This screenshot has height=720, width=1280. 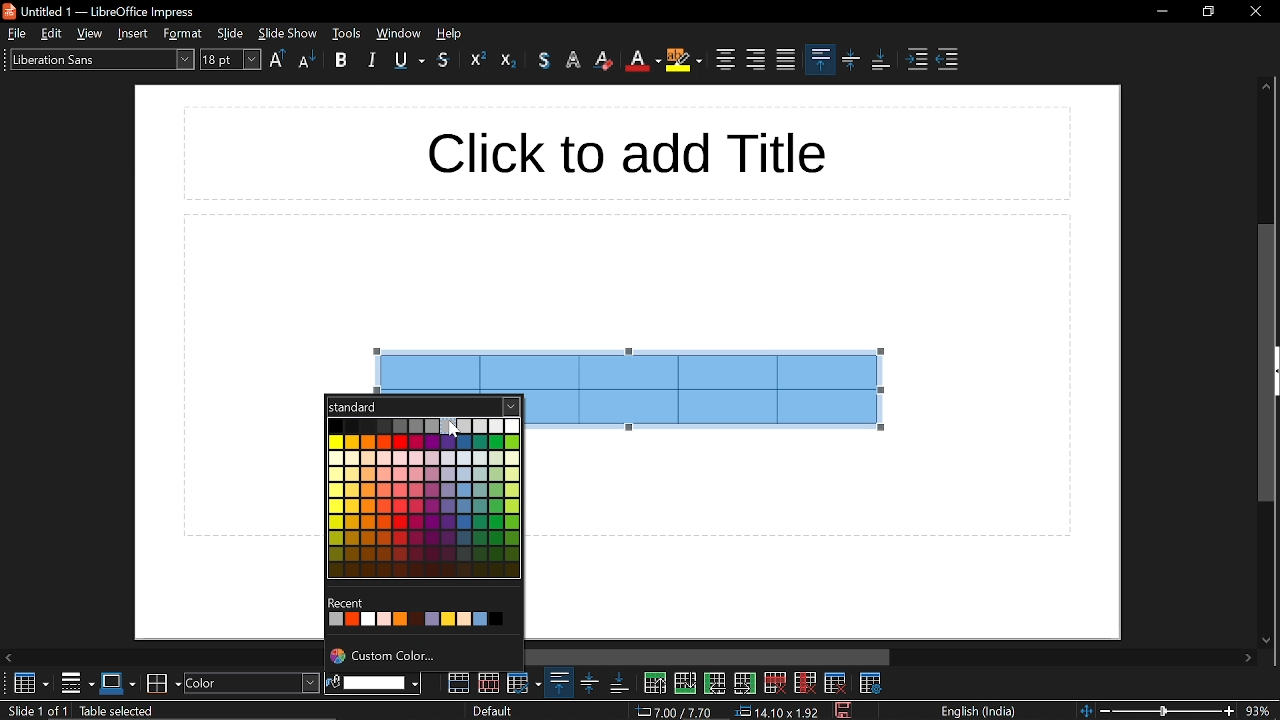 What do you see at coordinates (231, 59) in the screenshot?
I see `font size` at bounding box center [231, 59].